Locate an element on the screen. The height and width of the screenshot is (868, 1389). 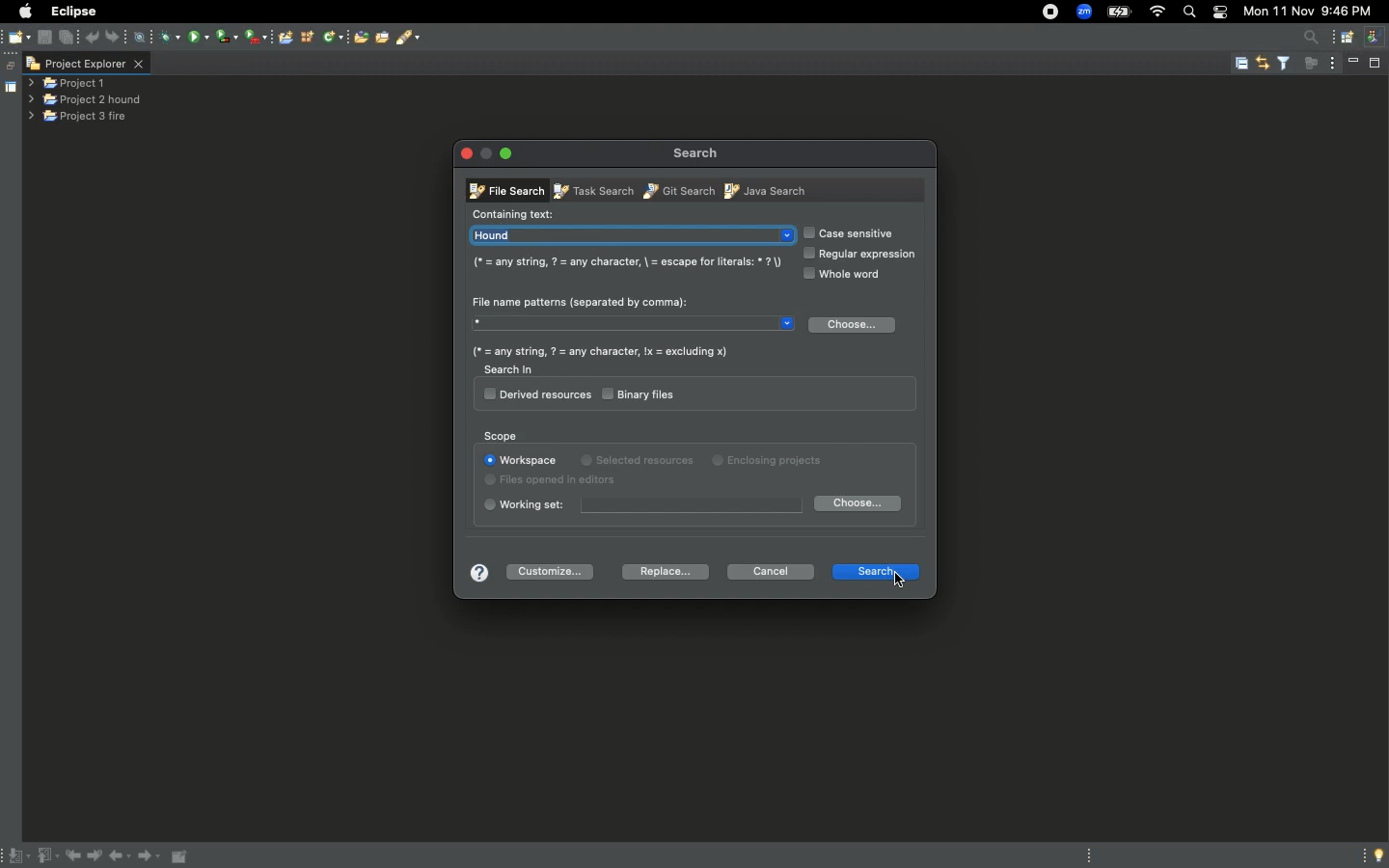
search is located at coordinates (414, 40).